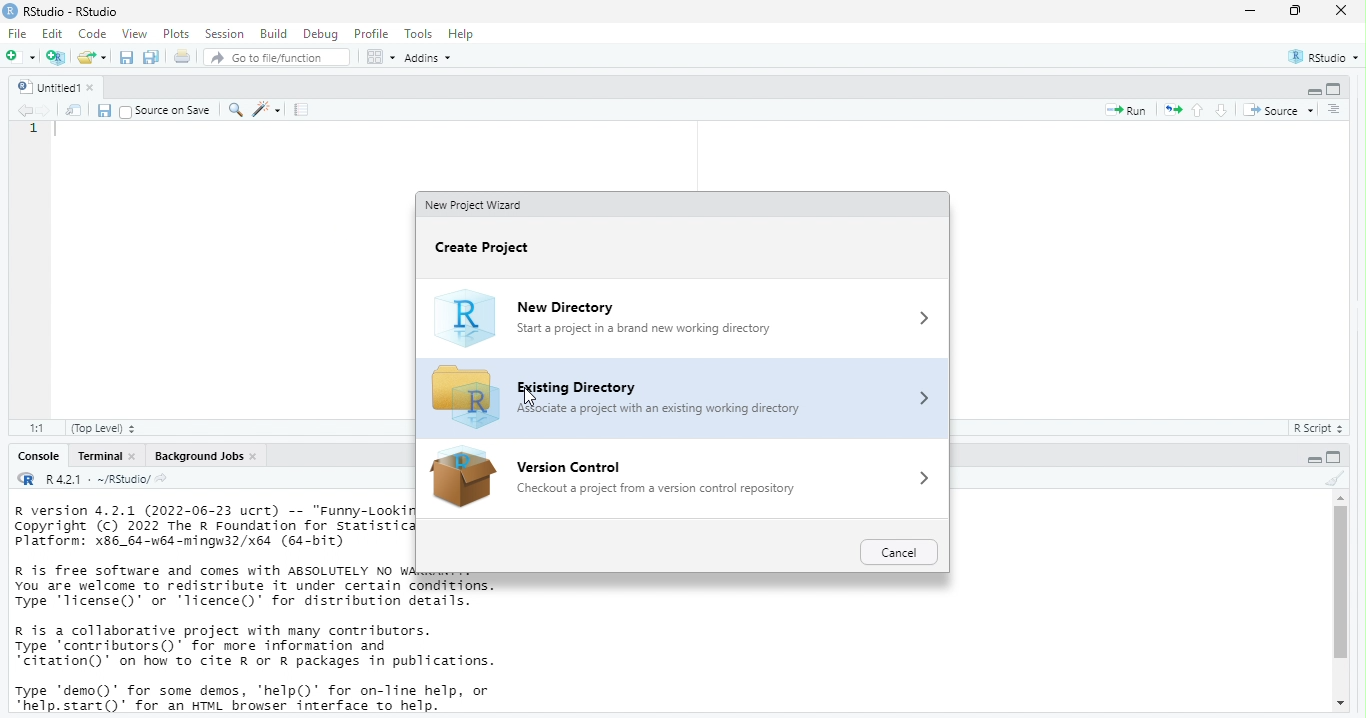  What do you see at coordinates (913, 480) in the screenshot?
I see `more options icons` at bounding box center [913, 480].